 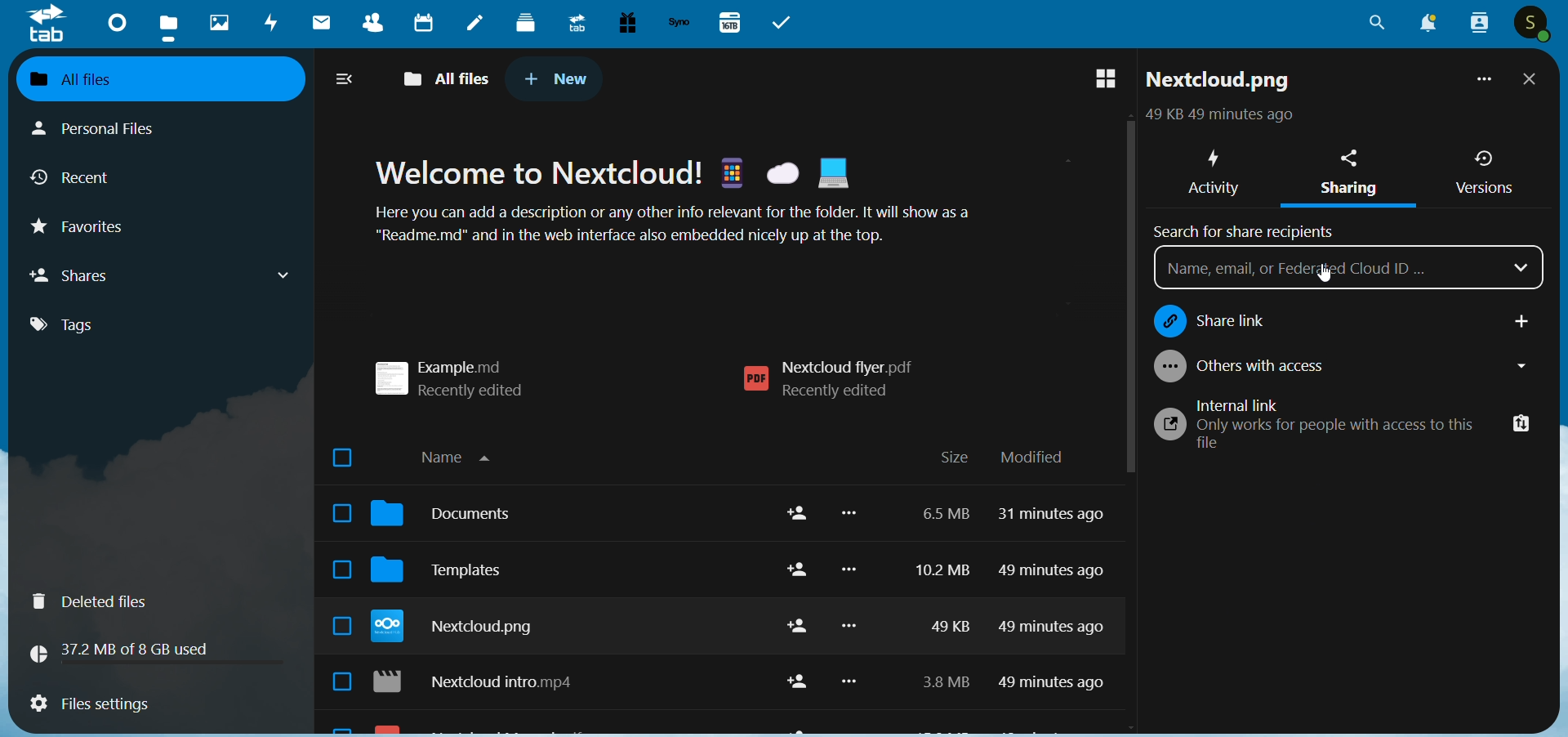 What do you see at coordinates (171, 26) in the screenshot?
I see `files` at bounding box center [171, 26].